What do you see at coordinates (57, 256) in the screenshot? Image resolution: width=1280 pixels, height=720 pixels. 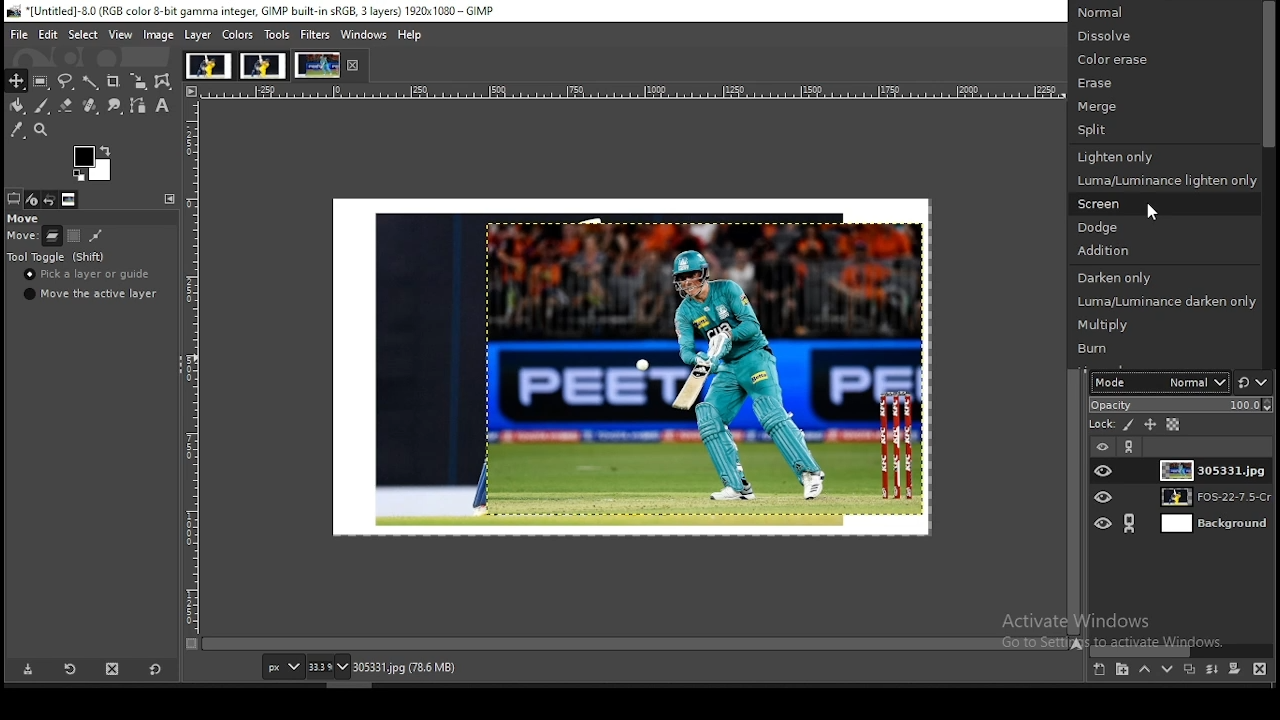 I see `tool toggle` at bounding box center [57, 256].